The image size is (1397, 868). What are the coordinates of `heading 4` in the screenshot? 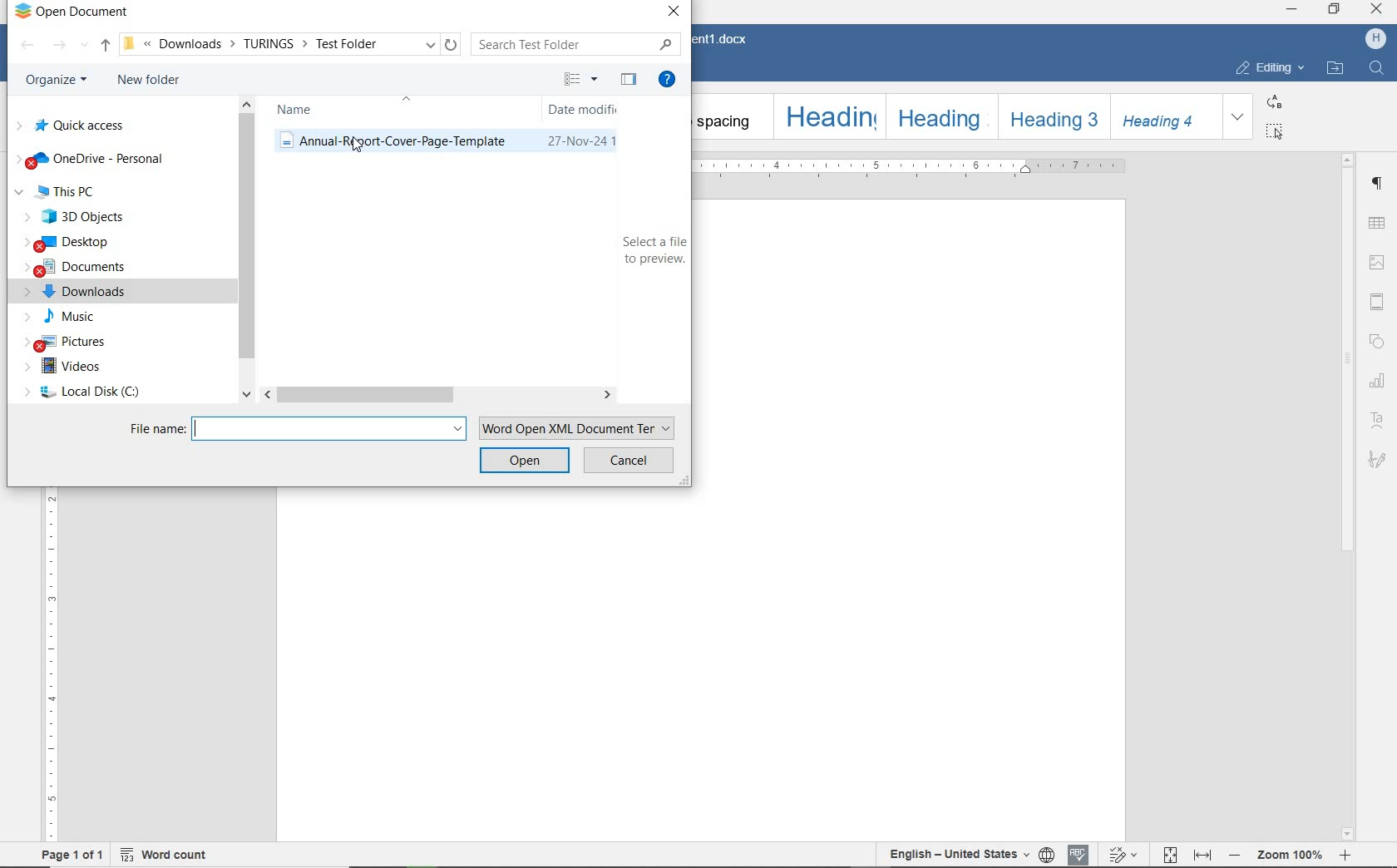 It's located at (1166, 117).